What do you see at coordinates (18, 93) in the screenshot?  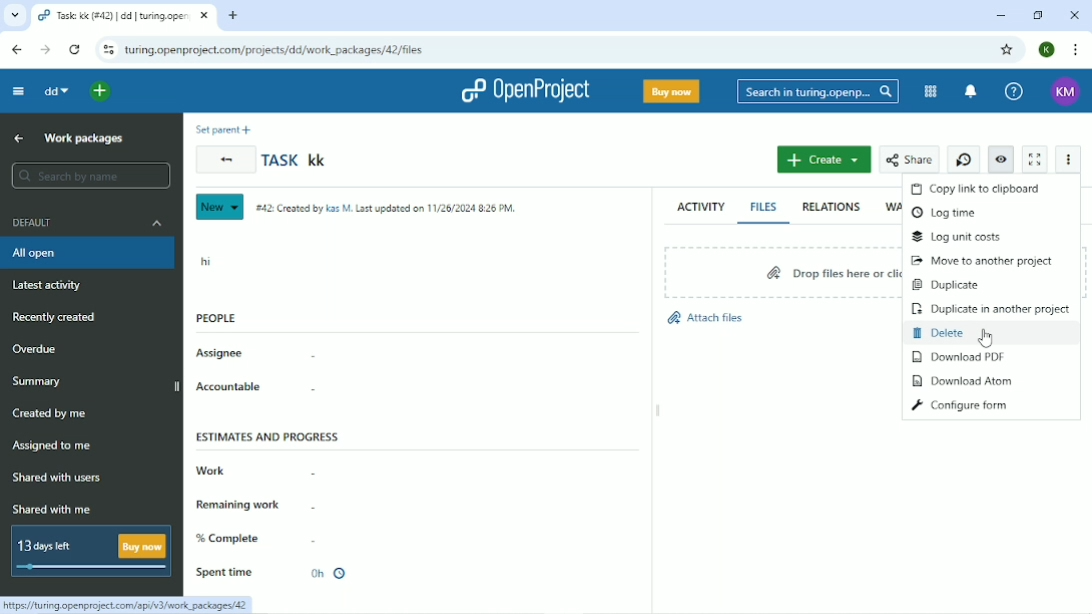 I see `Collapse project menu` at bounding box center [18, 93].